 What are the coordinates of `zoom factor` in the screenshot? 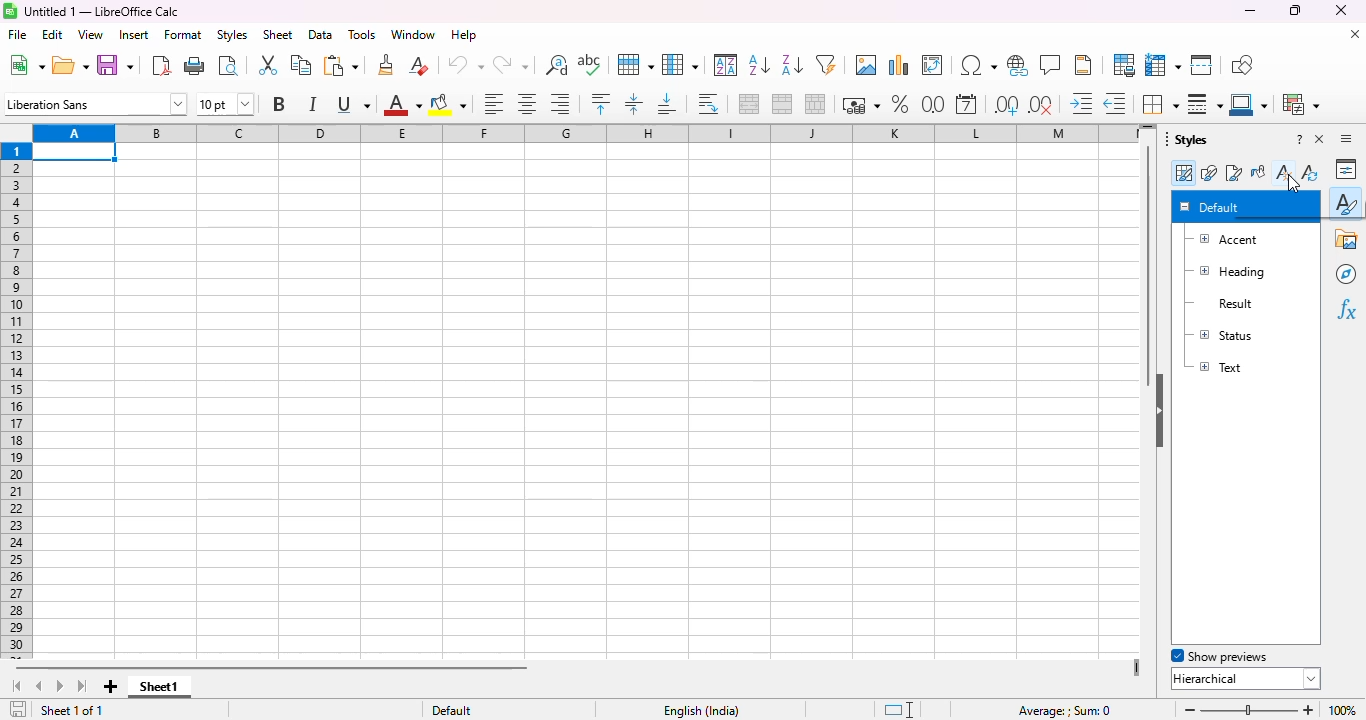 It's located at (1342, 710).